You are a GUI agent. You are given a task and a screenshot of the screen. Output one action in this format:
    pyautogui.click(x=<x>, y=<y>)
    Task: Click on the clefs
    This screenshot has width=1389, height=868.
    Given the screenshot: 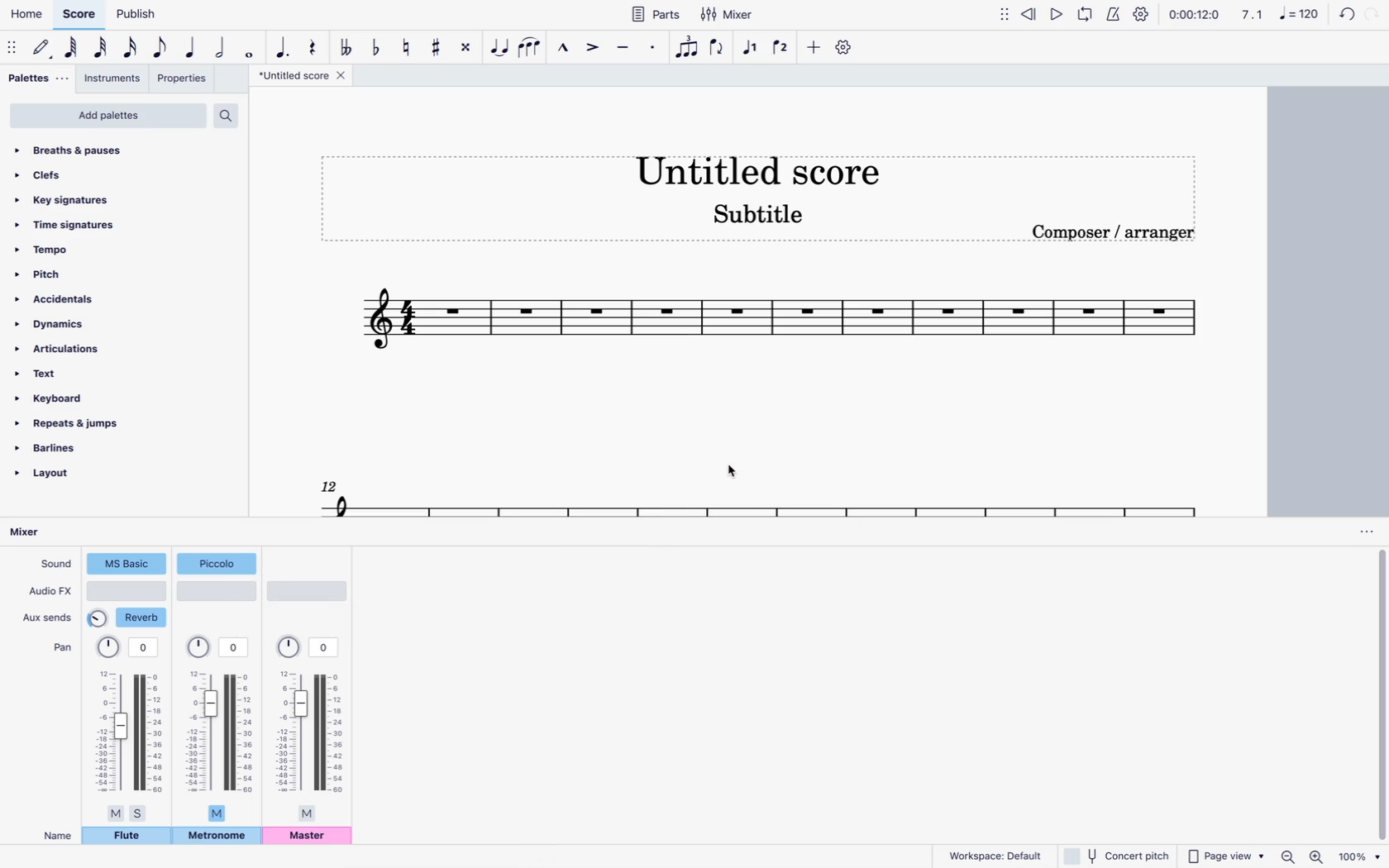 What is the action you would take?
    pyautogui.click(x=114, y=173)
    